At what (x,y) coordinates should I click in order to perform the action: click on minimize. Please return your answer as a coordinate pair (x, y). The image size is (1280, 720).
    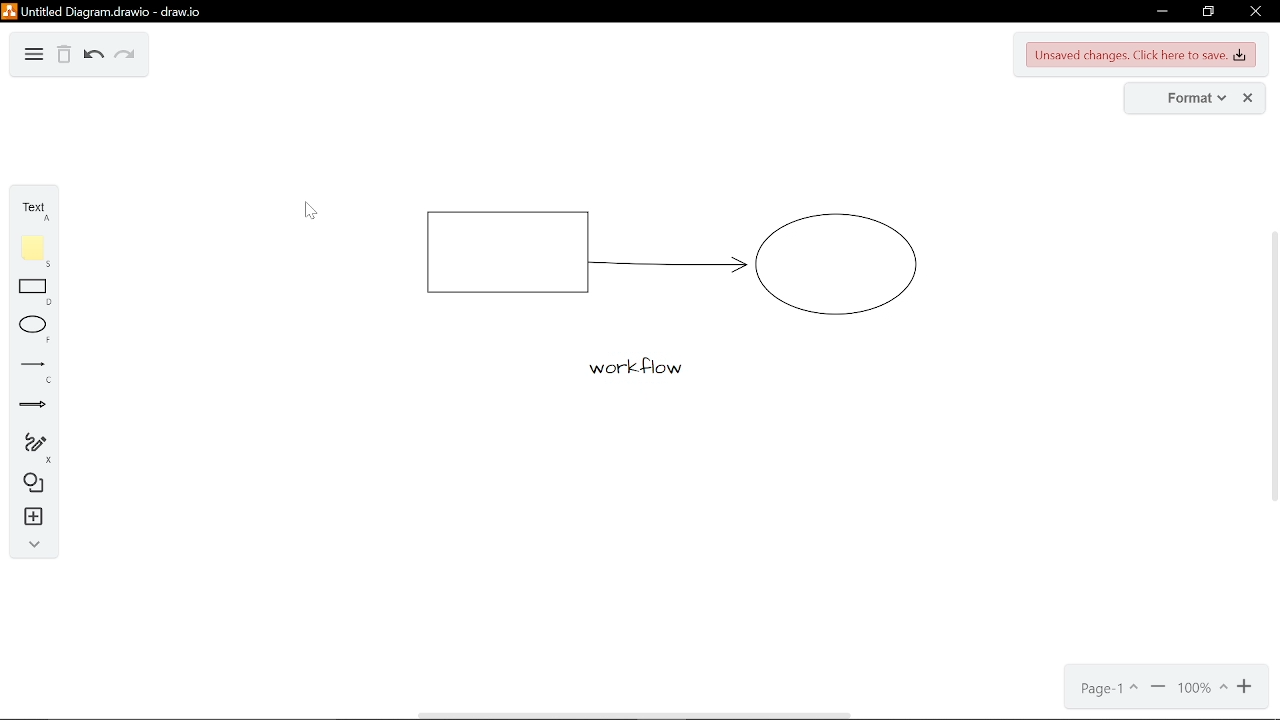
    Looking at the image, I should click on (1162, 13).